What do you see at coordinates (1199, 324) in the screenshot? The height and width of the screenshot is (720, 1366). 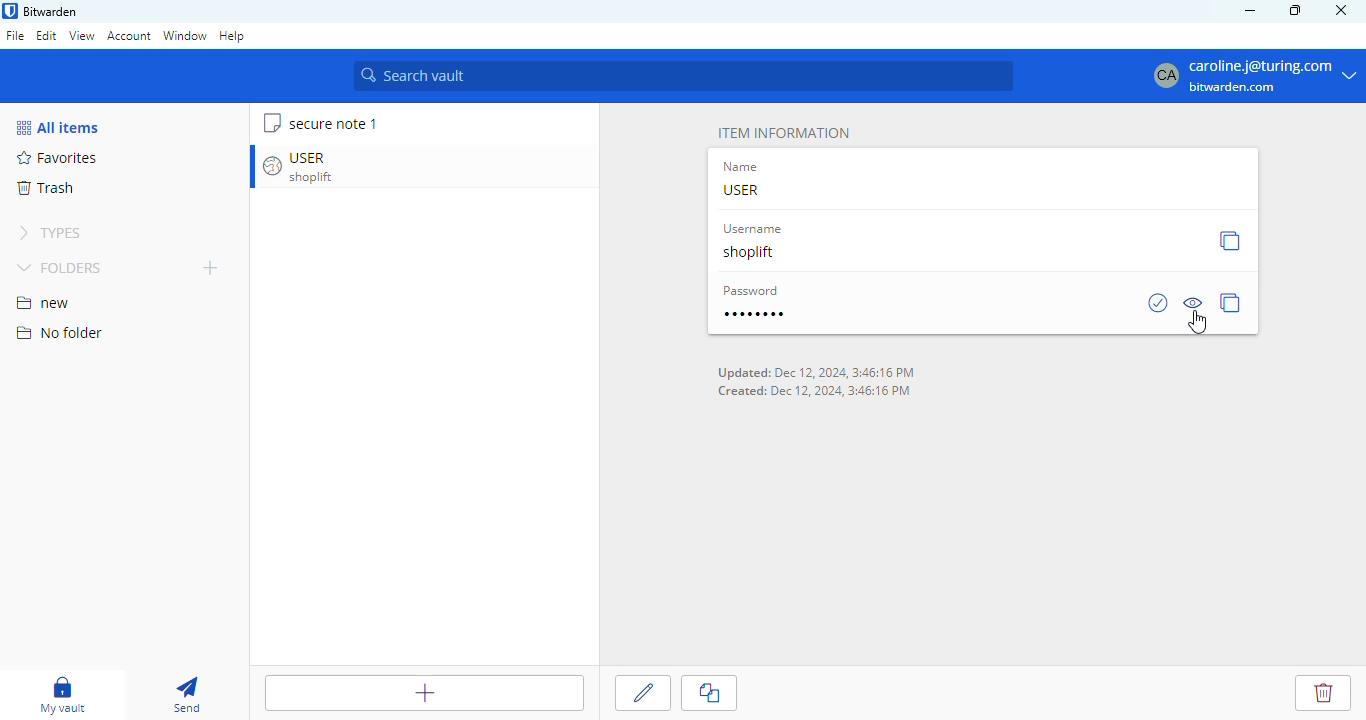 I see `cursor` at bounding box center [1199, 324].